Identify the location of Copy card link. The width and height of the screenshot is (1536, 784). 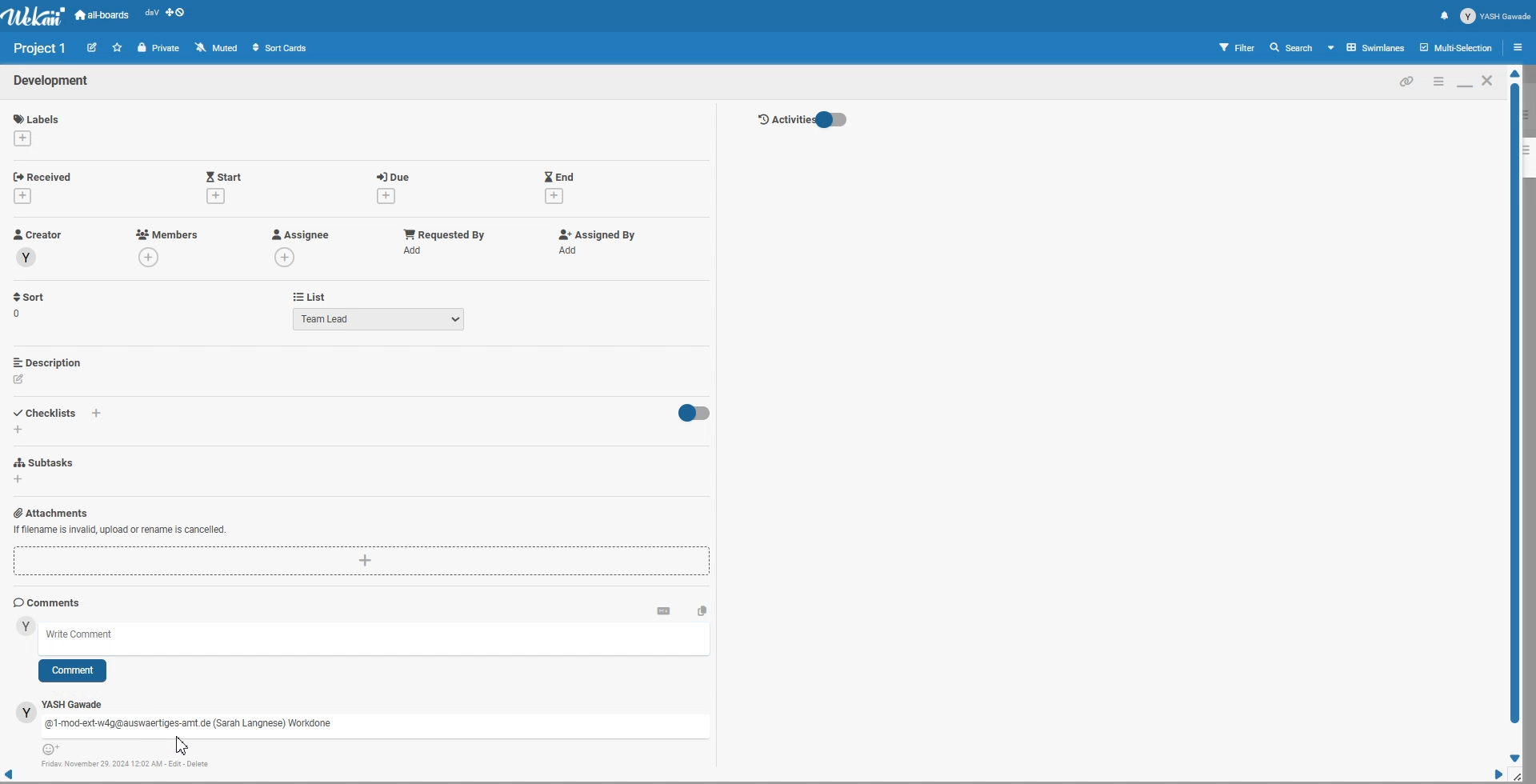
(1407, 81).